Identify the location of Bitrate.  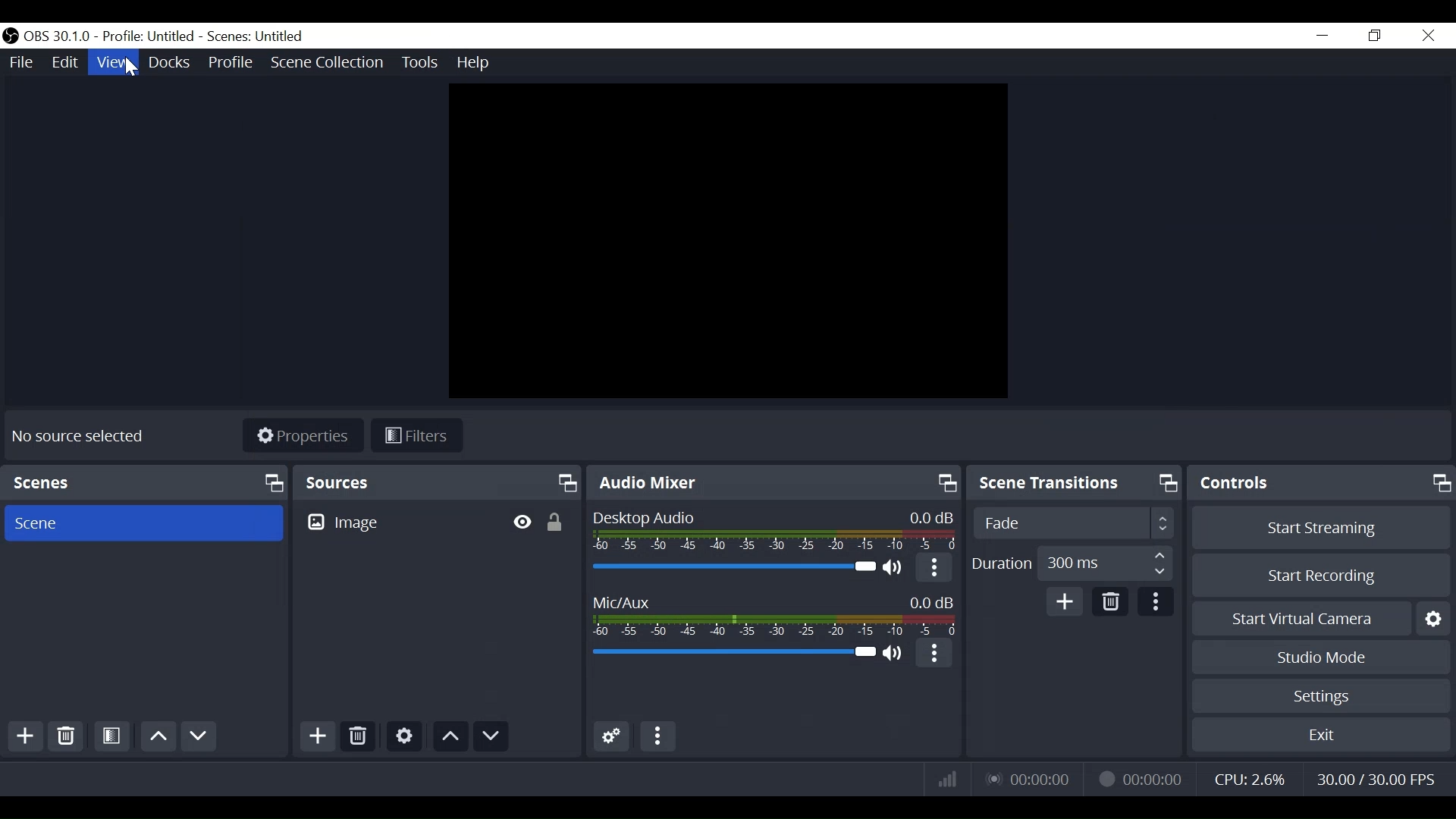
(947, 778).